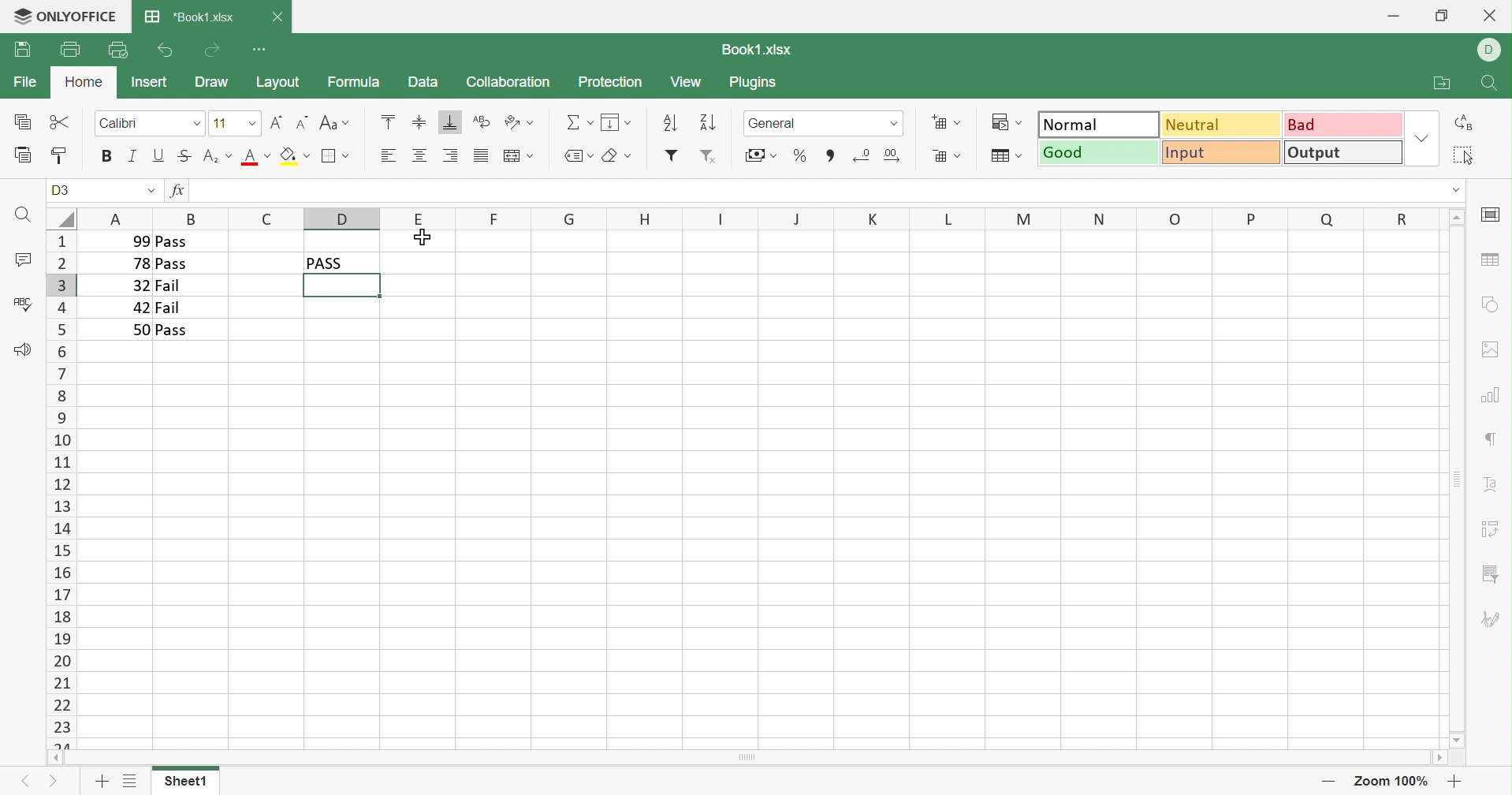  Describe the element at coordinates (1328, 784) in the screenshot. I see `Zoom out` at that location.